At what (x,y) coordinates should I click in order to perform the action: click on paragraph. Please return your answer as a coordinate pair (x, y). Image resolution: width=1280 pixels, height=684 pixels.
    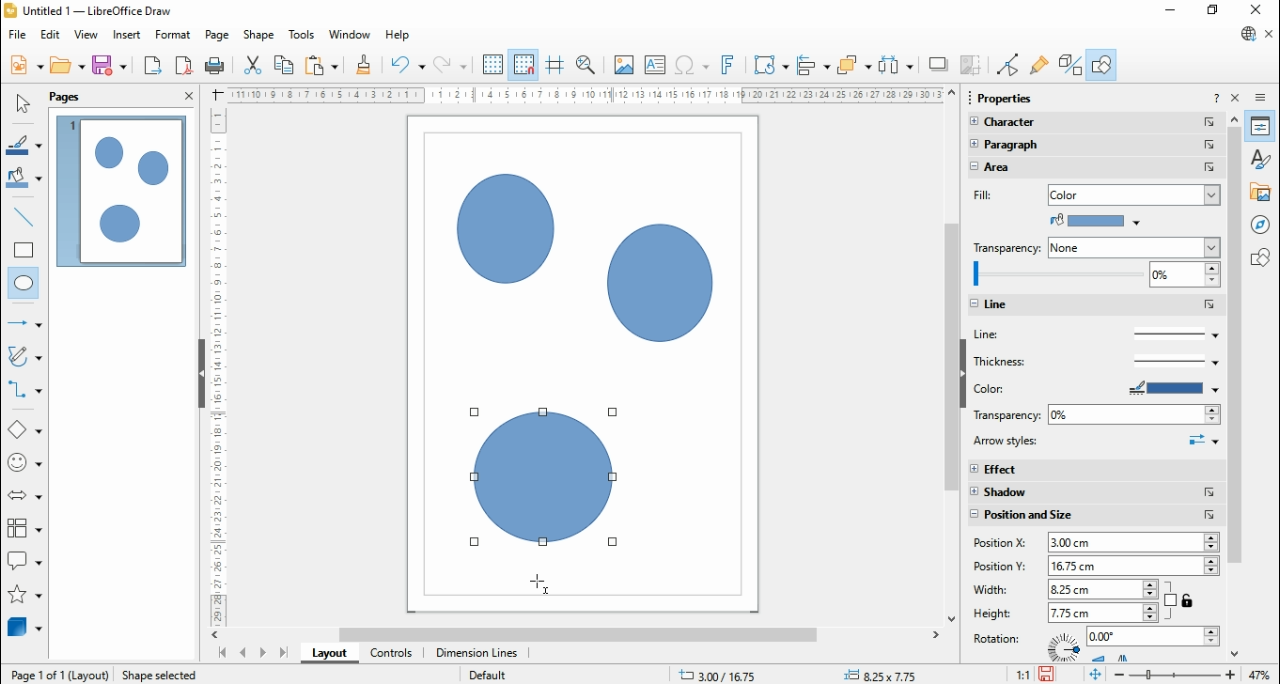
    Looking at the image, I should click on (1096, 146).